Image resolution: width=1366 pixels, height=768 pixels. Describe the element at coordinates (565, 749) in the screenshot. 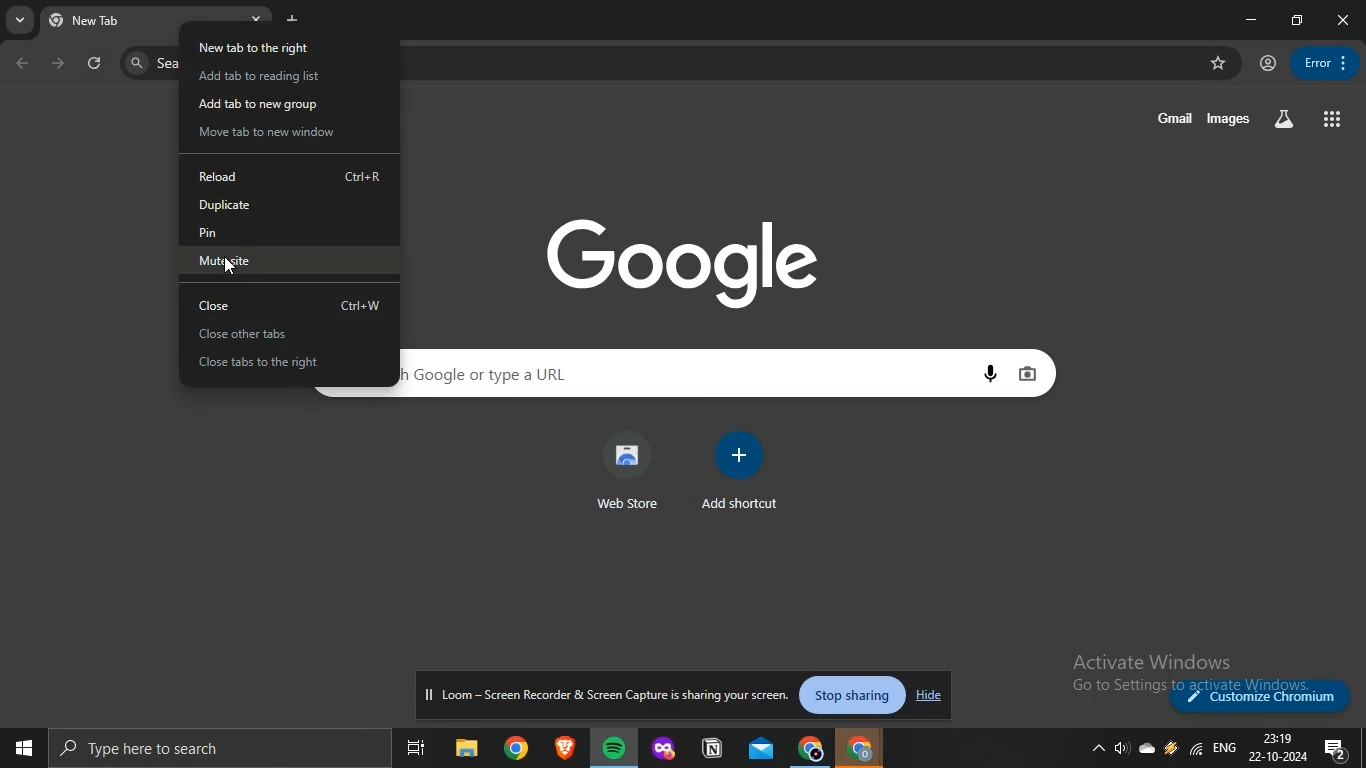

I see `brave` at that location.